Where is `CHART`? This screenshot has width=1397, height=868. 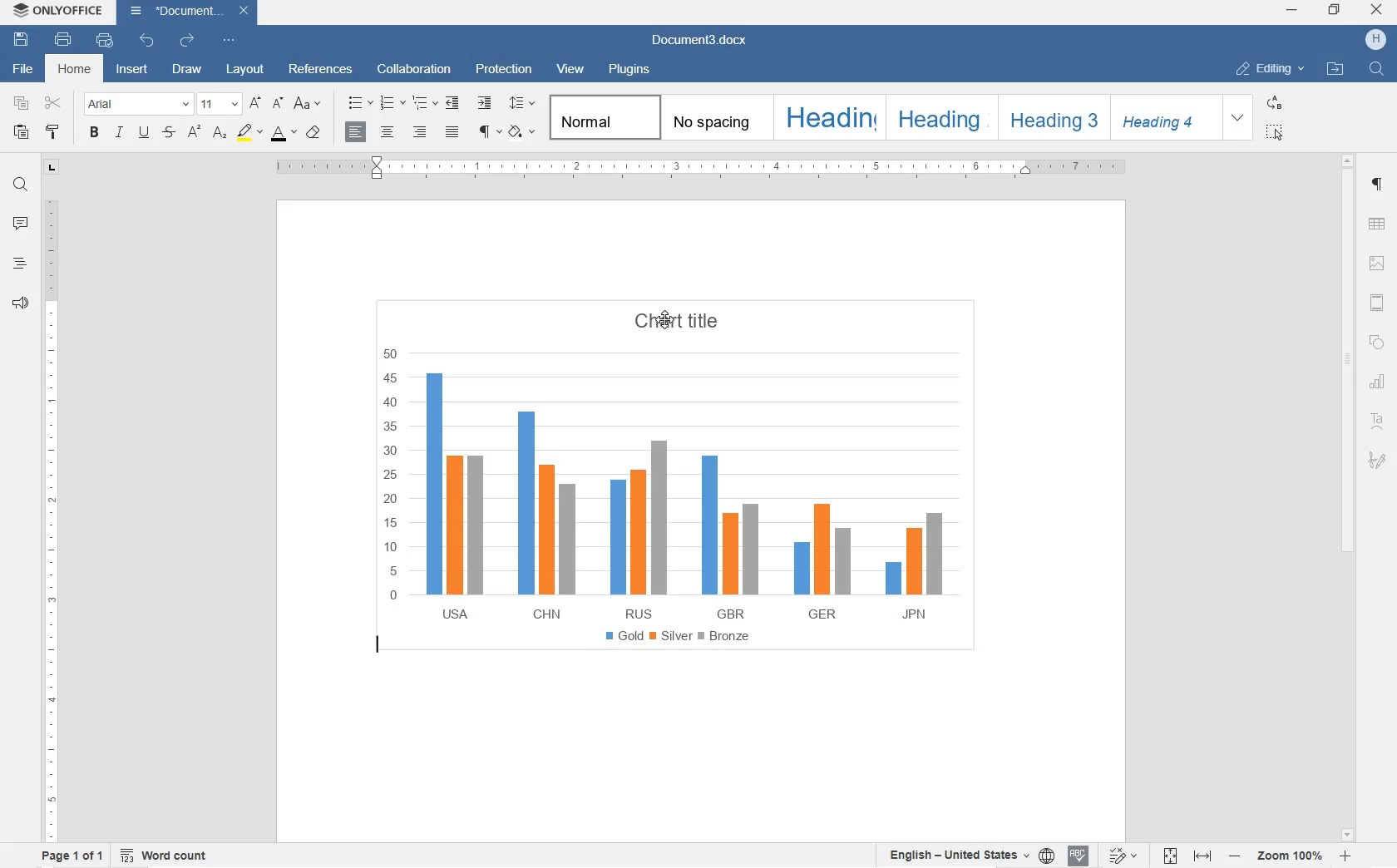
CHART is located at coordinates (680, 498).